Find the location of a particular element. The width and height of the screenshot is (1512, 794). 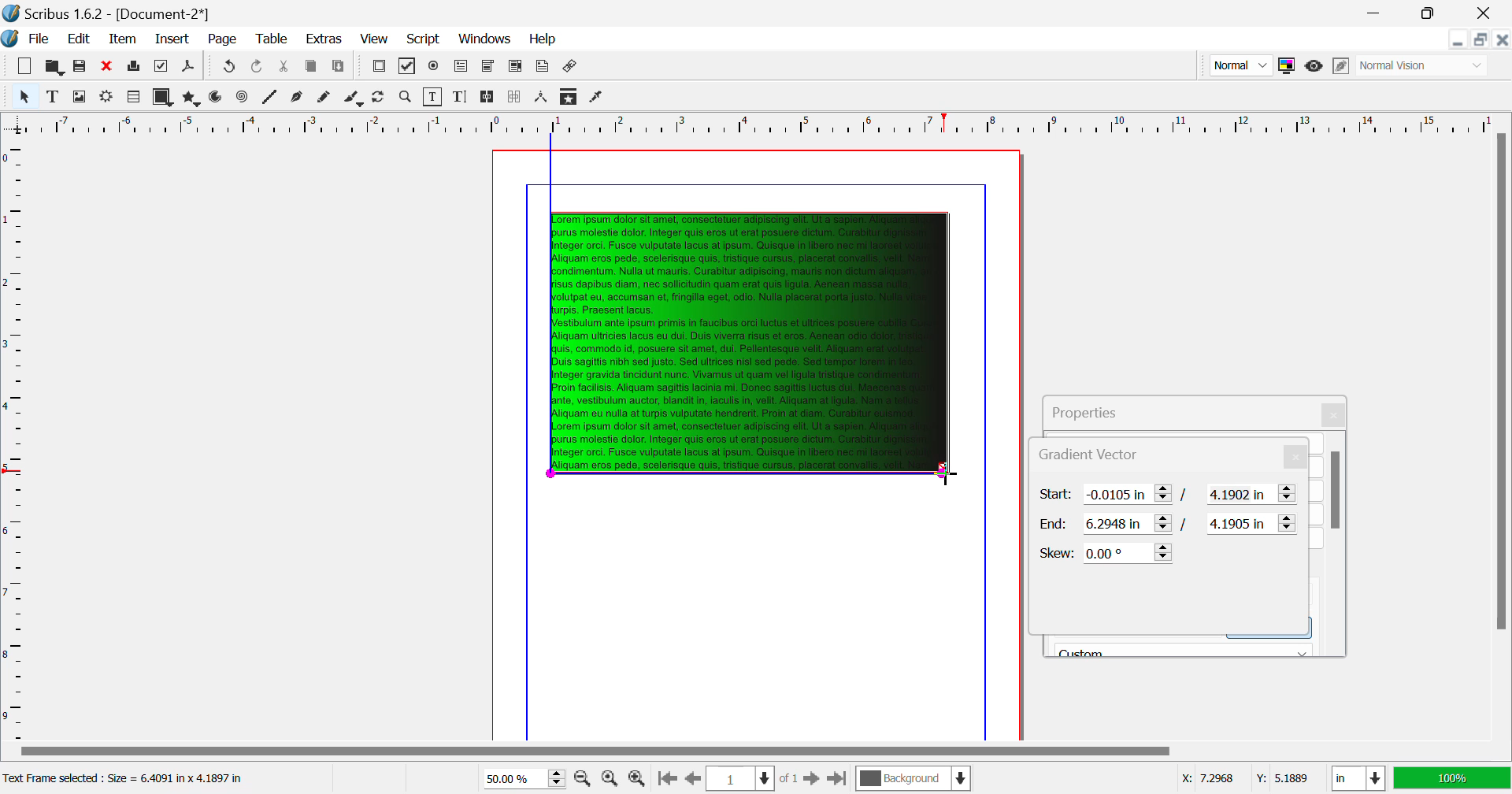

Edit in Preview Mode is located at coordinates (1343, 66).